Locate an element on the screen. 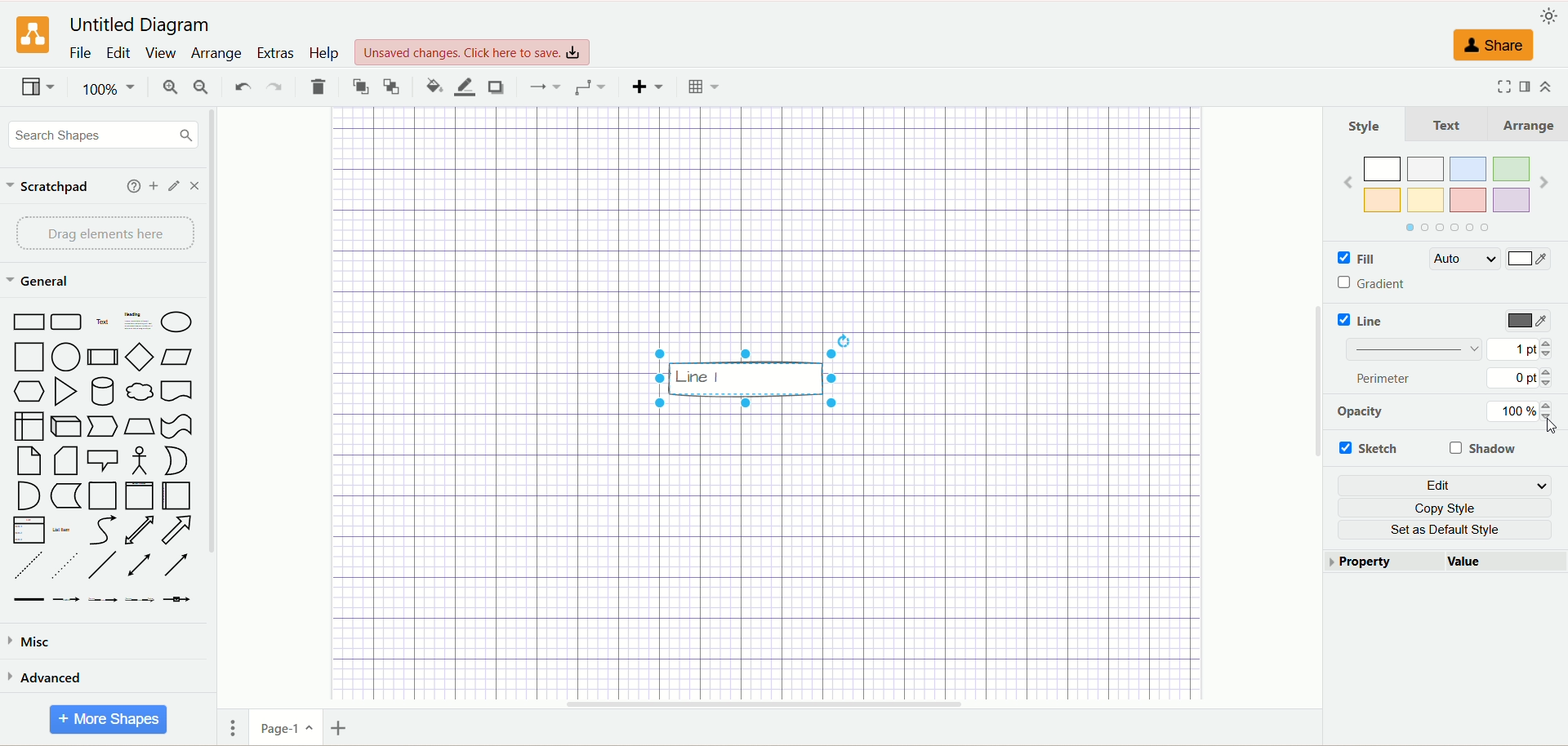  Cube is located at coordinates (68, 427).